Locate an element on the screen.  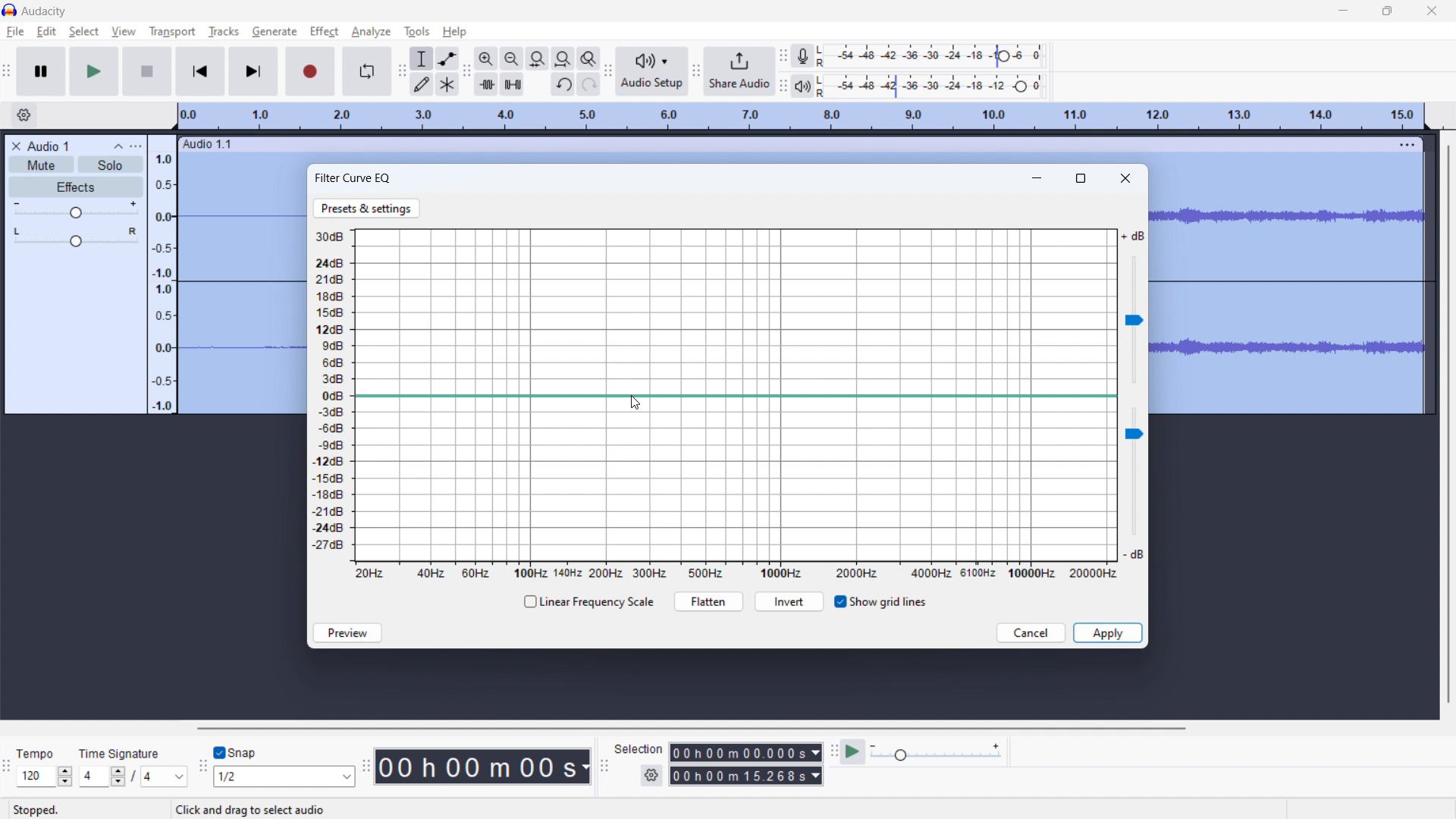
invert is located at coordinates (789, 602).